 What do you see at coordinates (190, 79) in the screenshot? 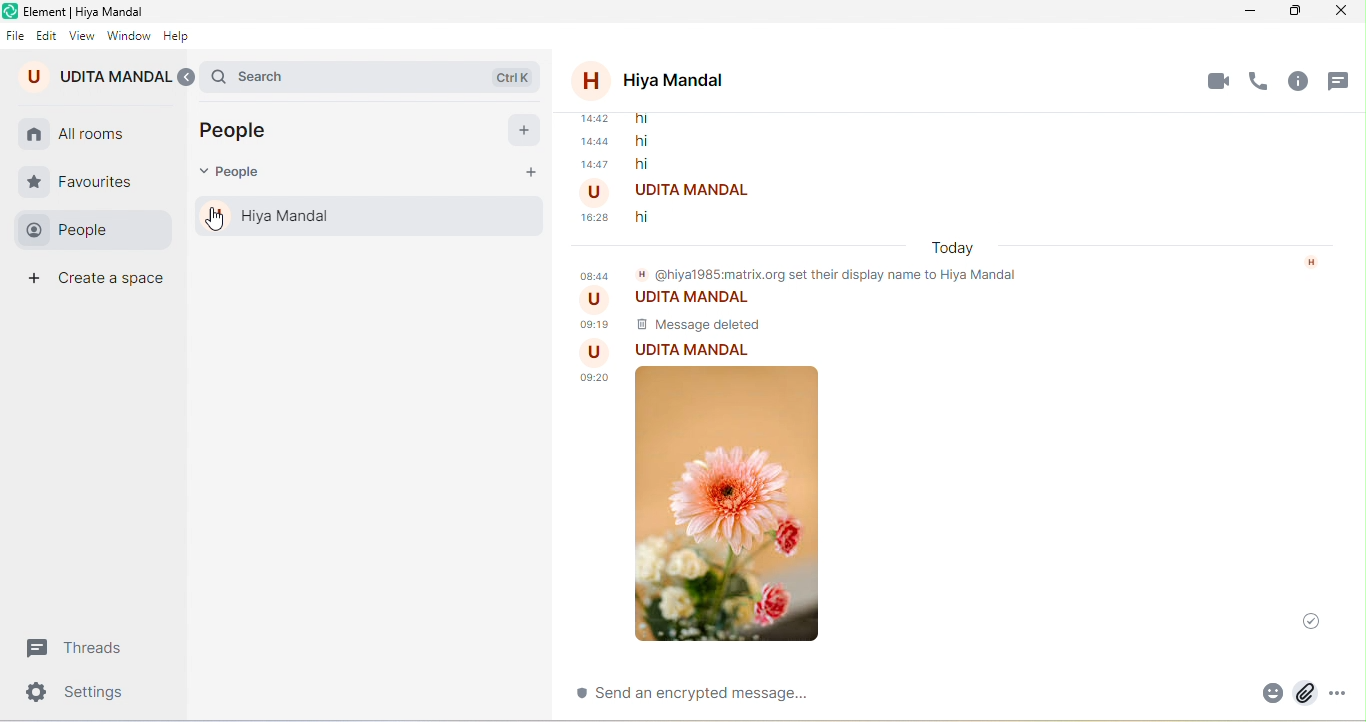
I see `expand` at bounding box center [190, 79].